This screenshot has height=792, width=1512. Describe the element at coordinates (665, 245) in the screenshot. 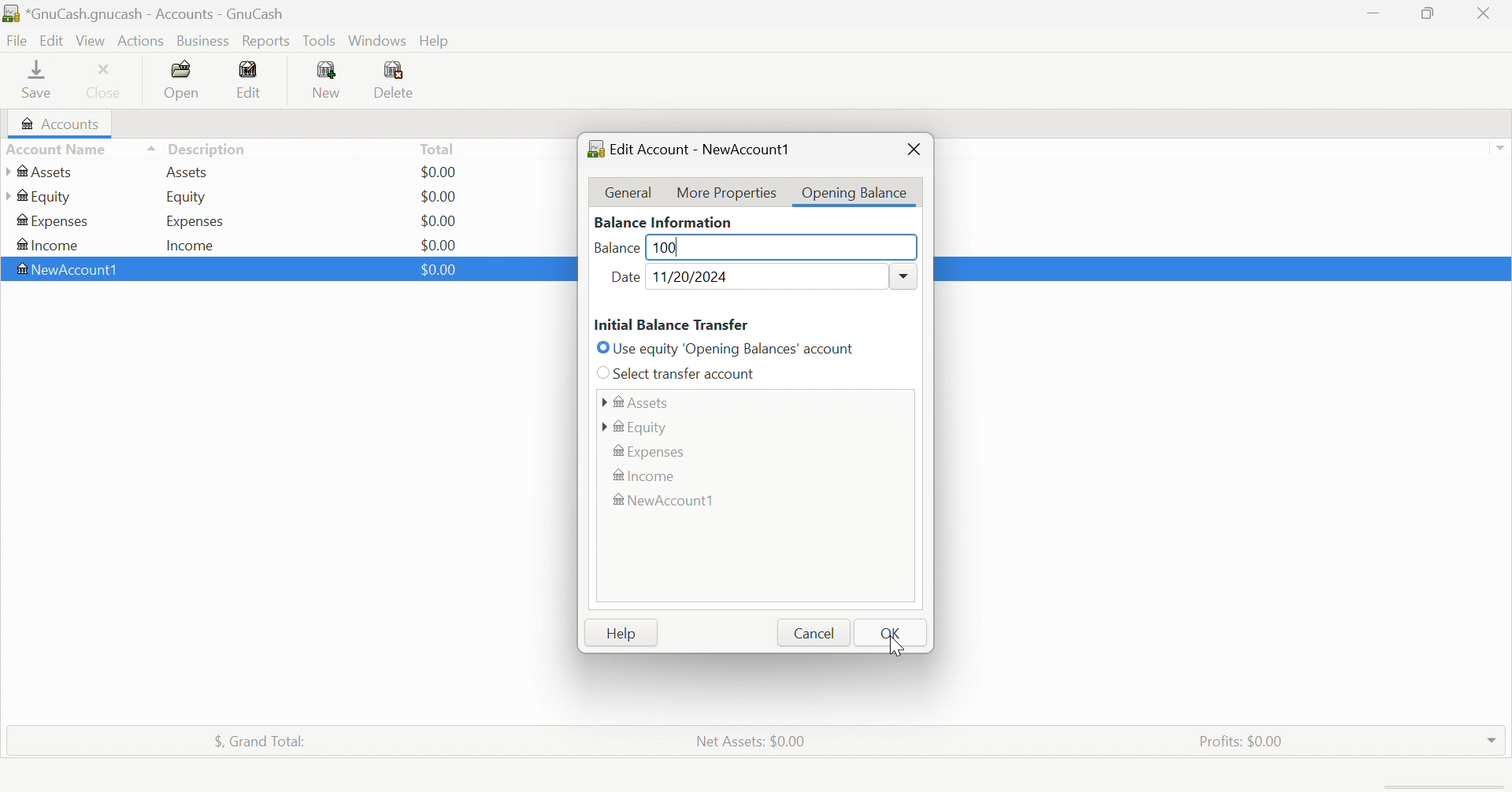

I see `100` at that location.